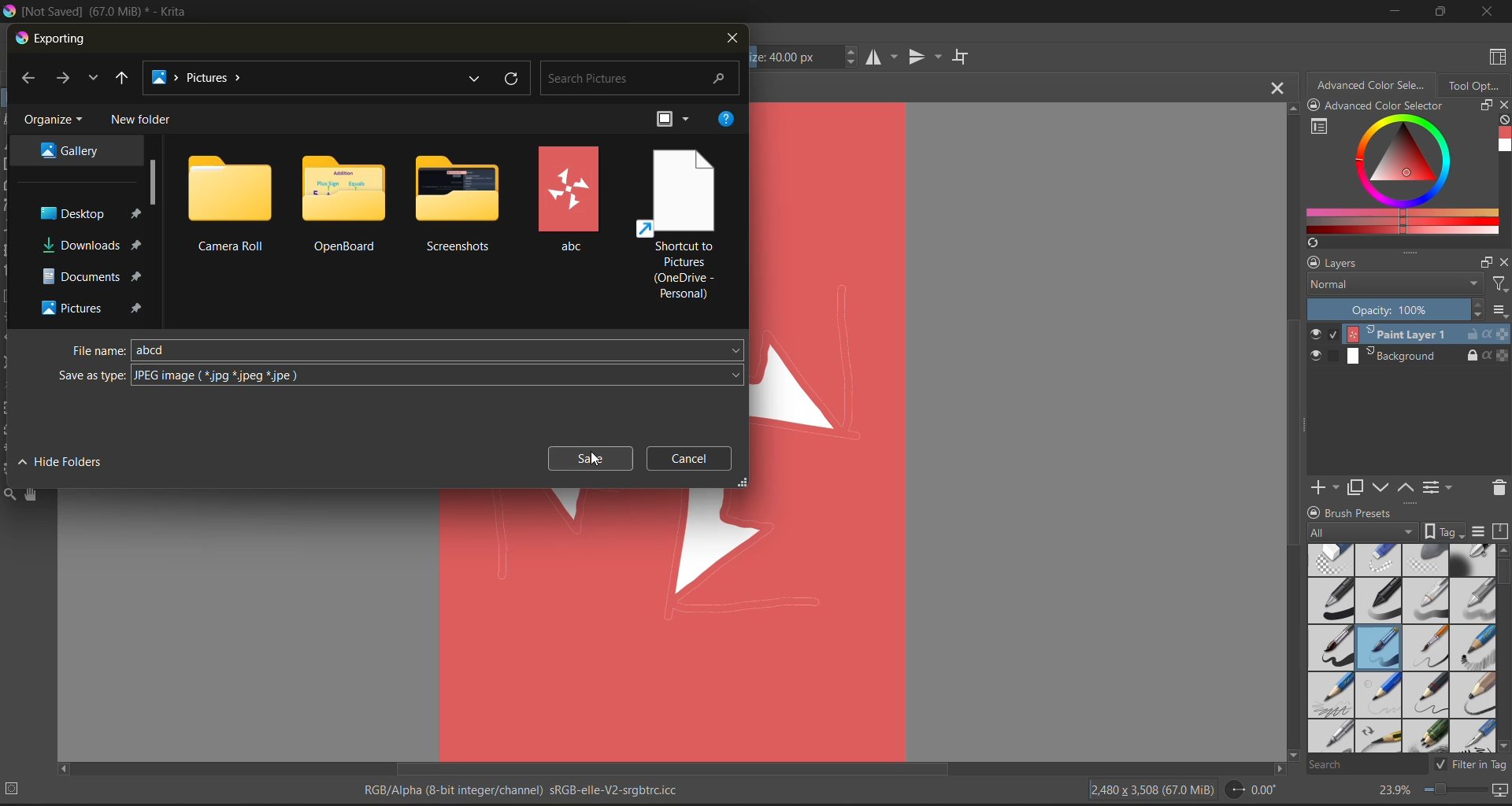 This screenshot has height=806, width=1512. Describe the element at coordinates (65, 79) in the screenshot. I see `next` at that location.